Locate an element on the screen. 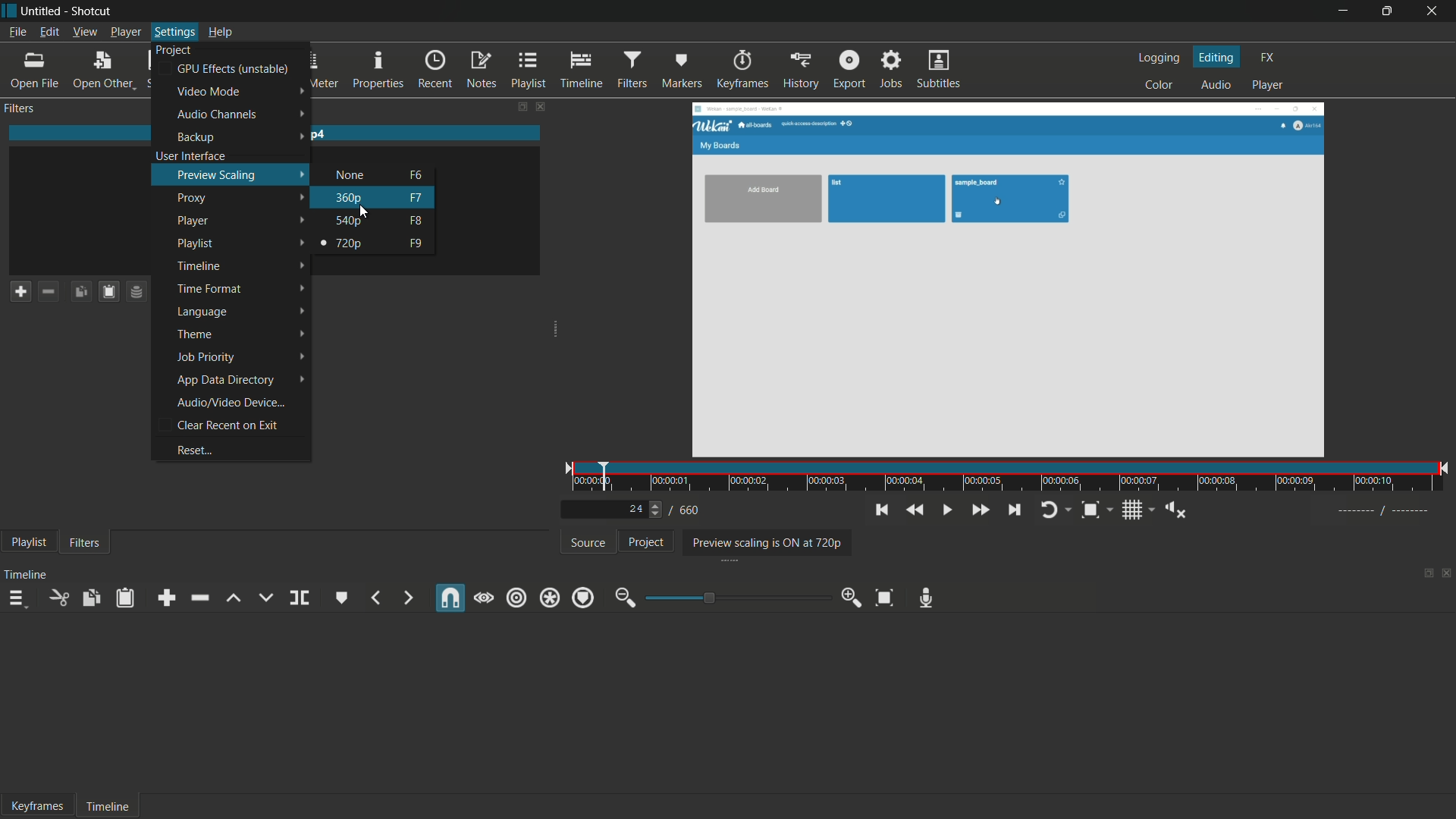 This screenshot has height=819, width=1456. timeline is located at coordinates (108, 808).